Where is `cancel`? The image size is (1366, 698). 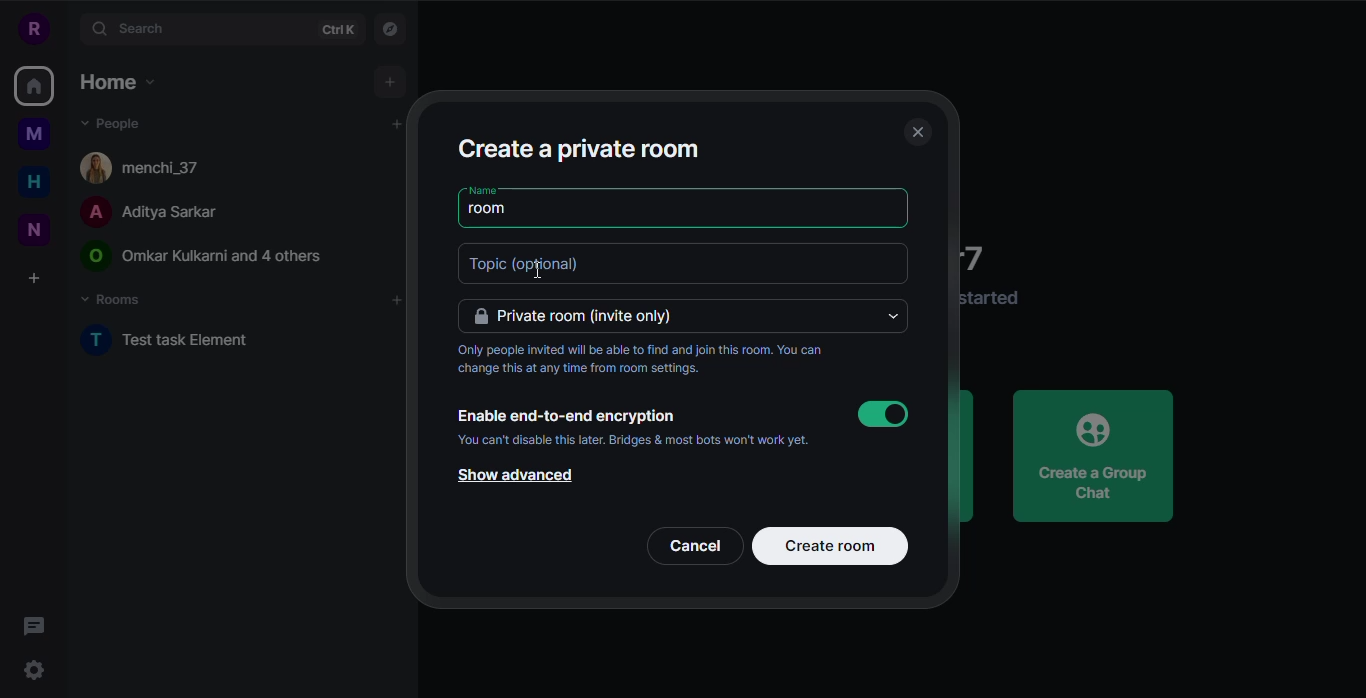 cancel is located at coordinates (698, 546).